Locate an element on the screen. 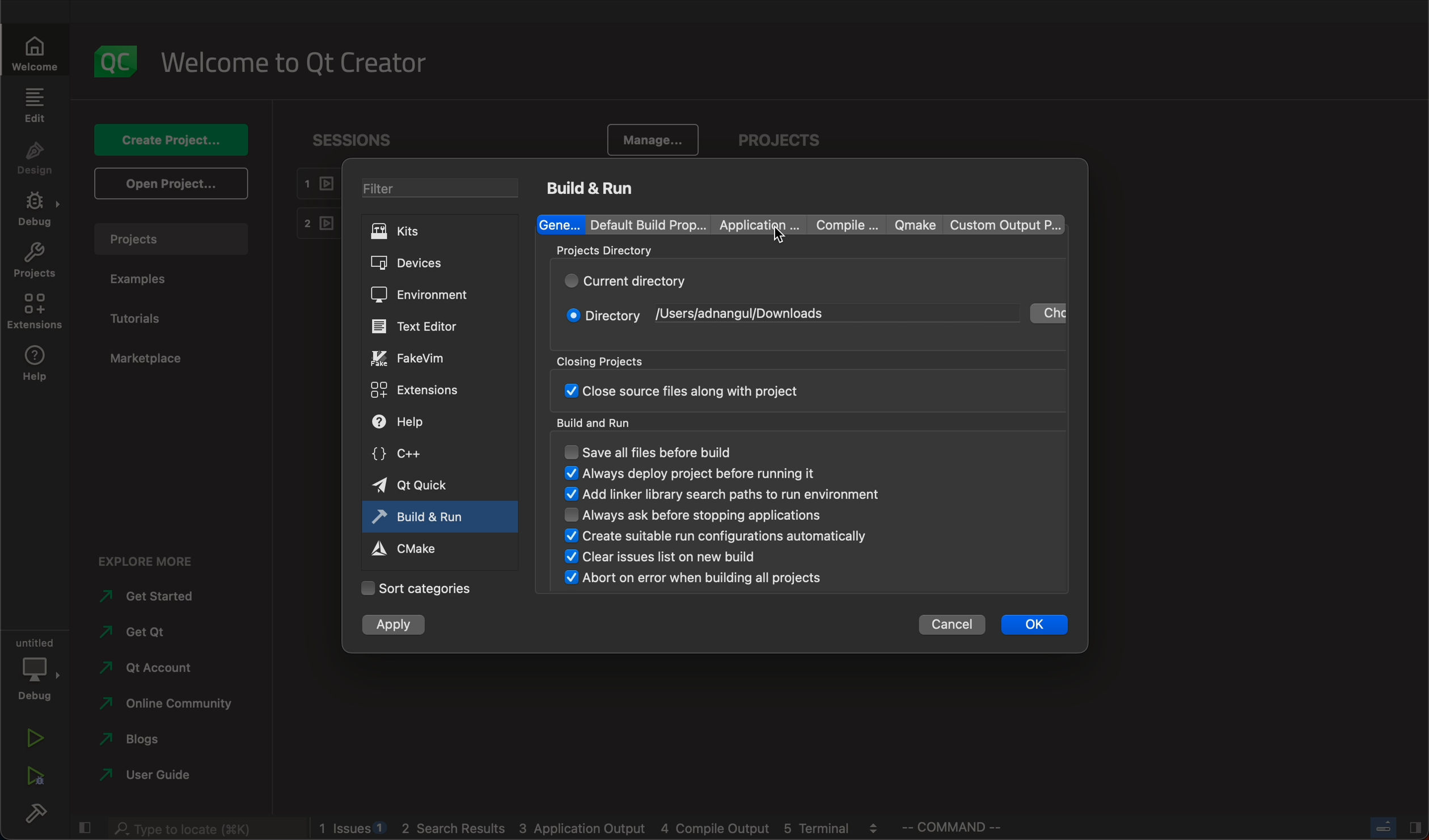  explore is located at coordinates (149, 561).